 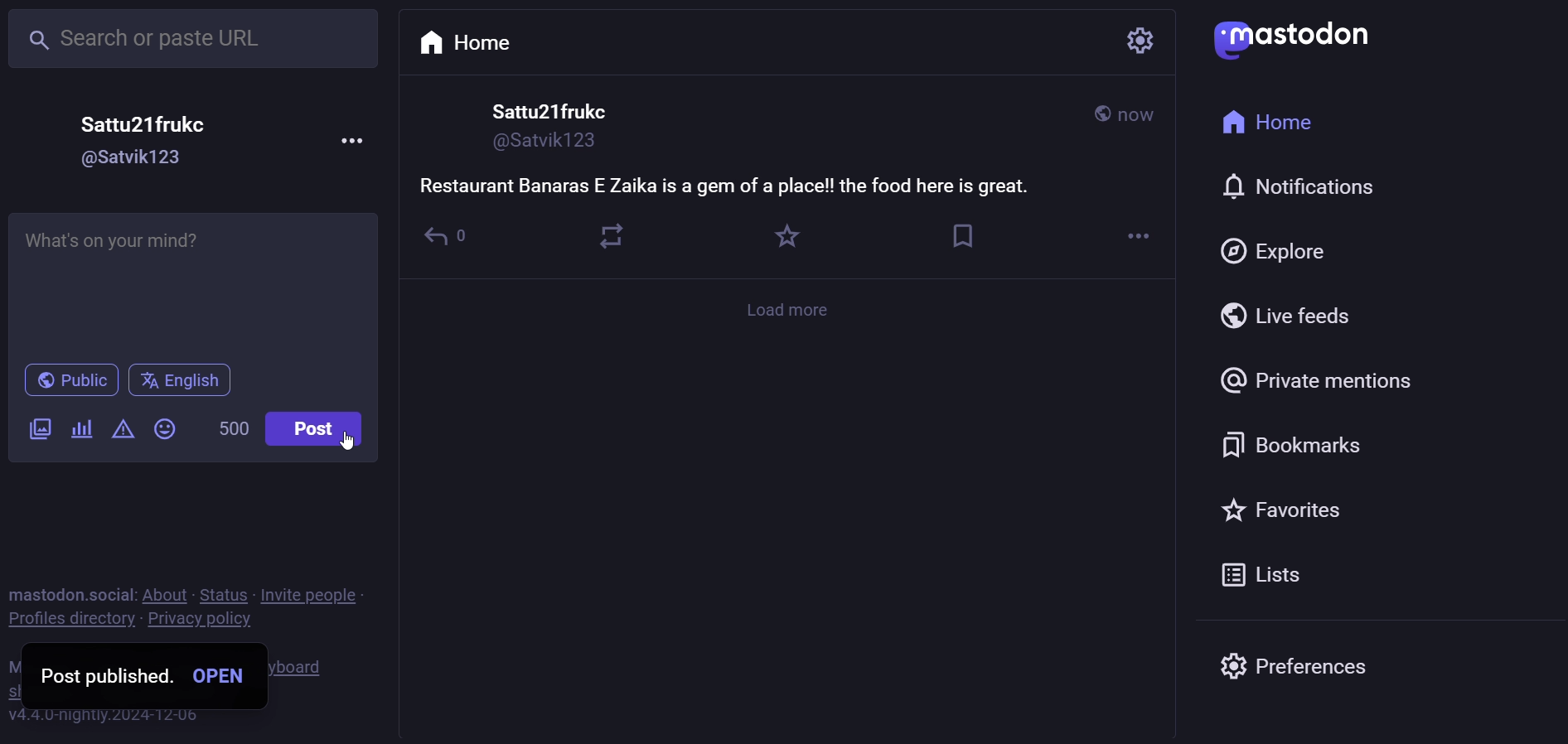 What do you see at coordinates (231, 431) in the screenshot?
I see `word limit` at bounding box center [231, 431].